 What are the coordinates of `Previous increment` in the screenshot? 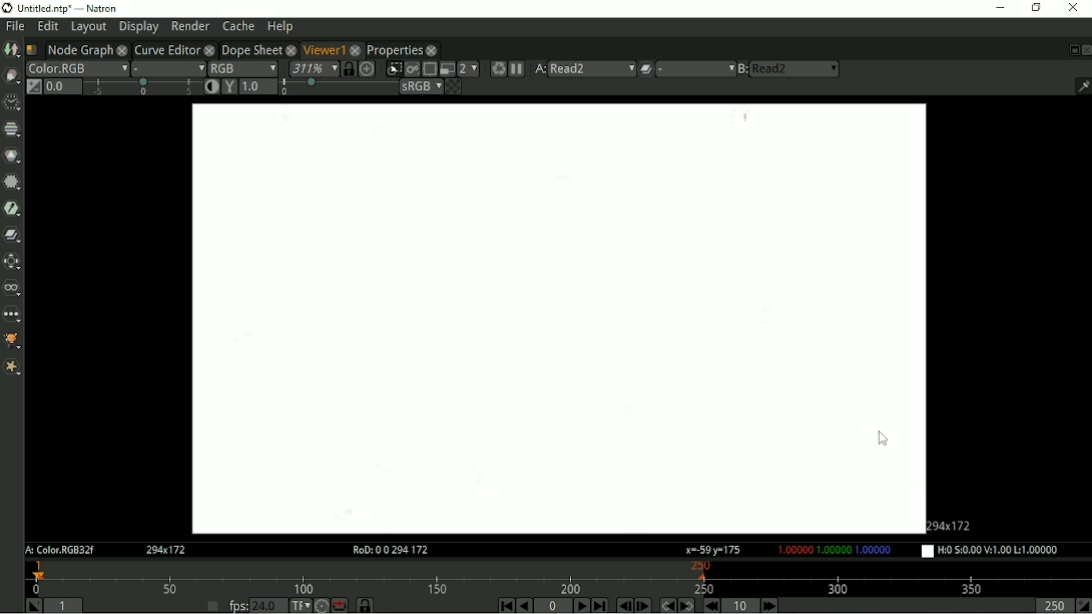 It's located at (713, 605).